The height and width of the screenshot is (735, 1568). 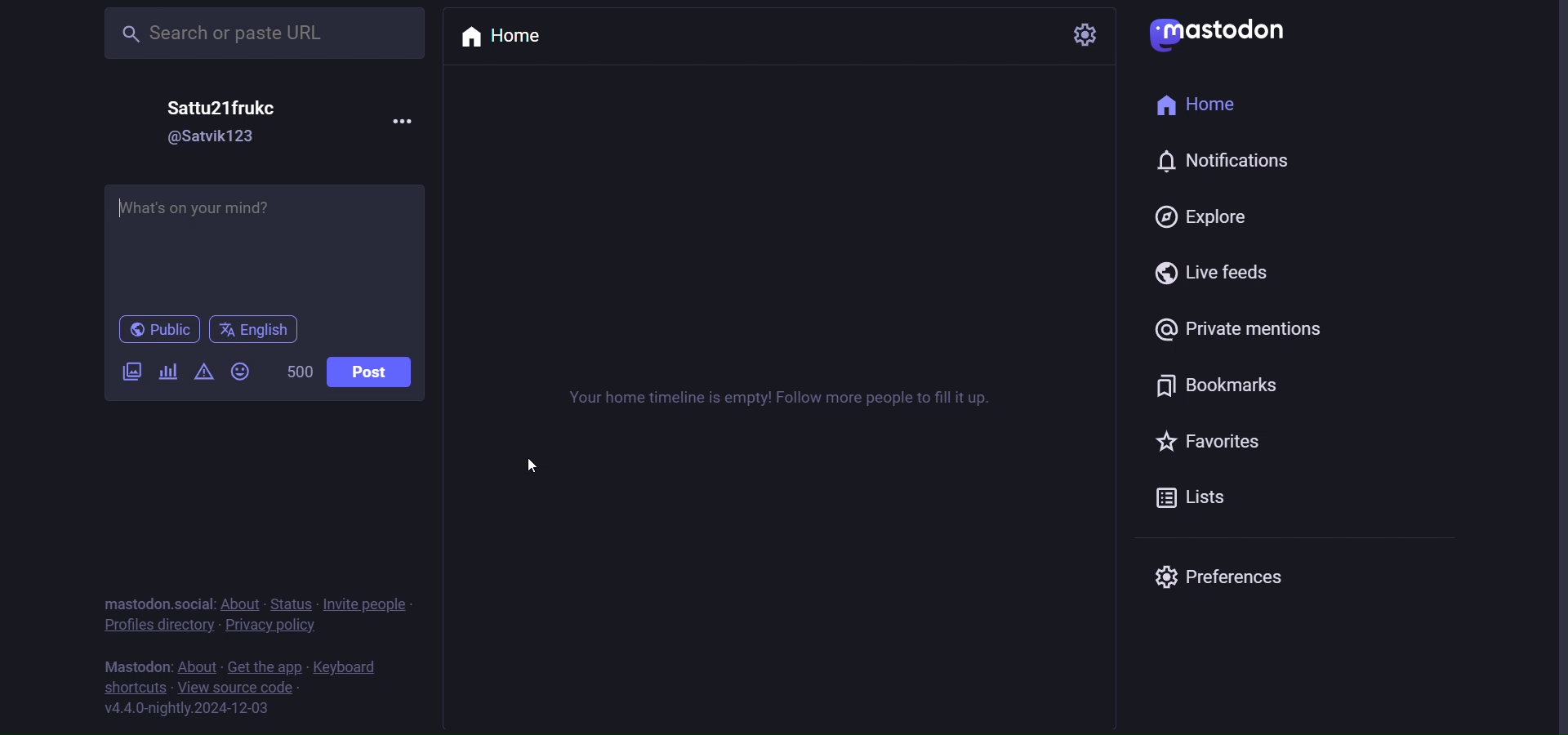 I want to click on explore, so click(x=1196, y=219).